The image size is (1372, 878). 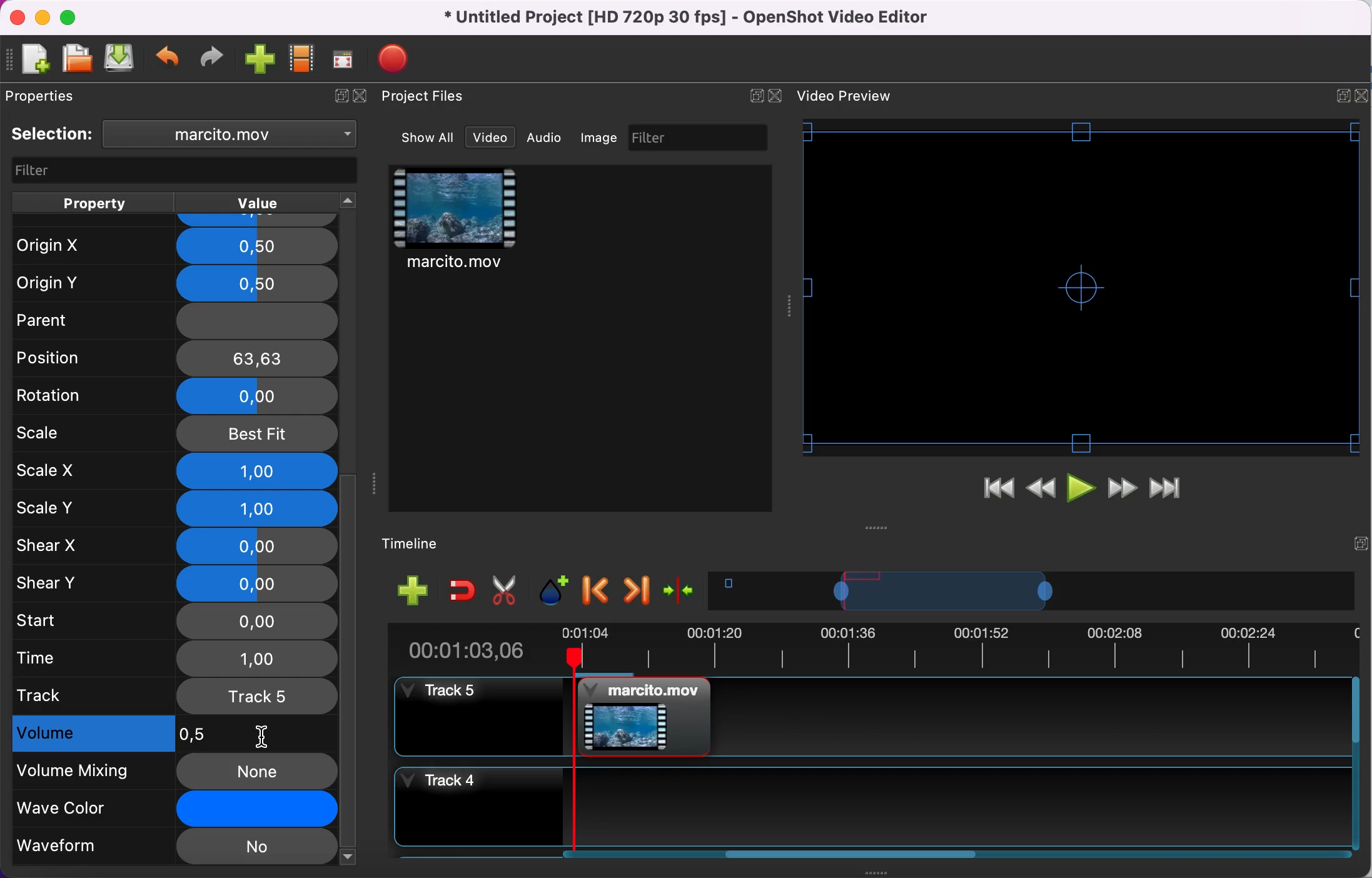 I want to click on Expand/Collapse, so click(x=1343, y=96).